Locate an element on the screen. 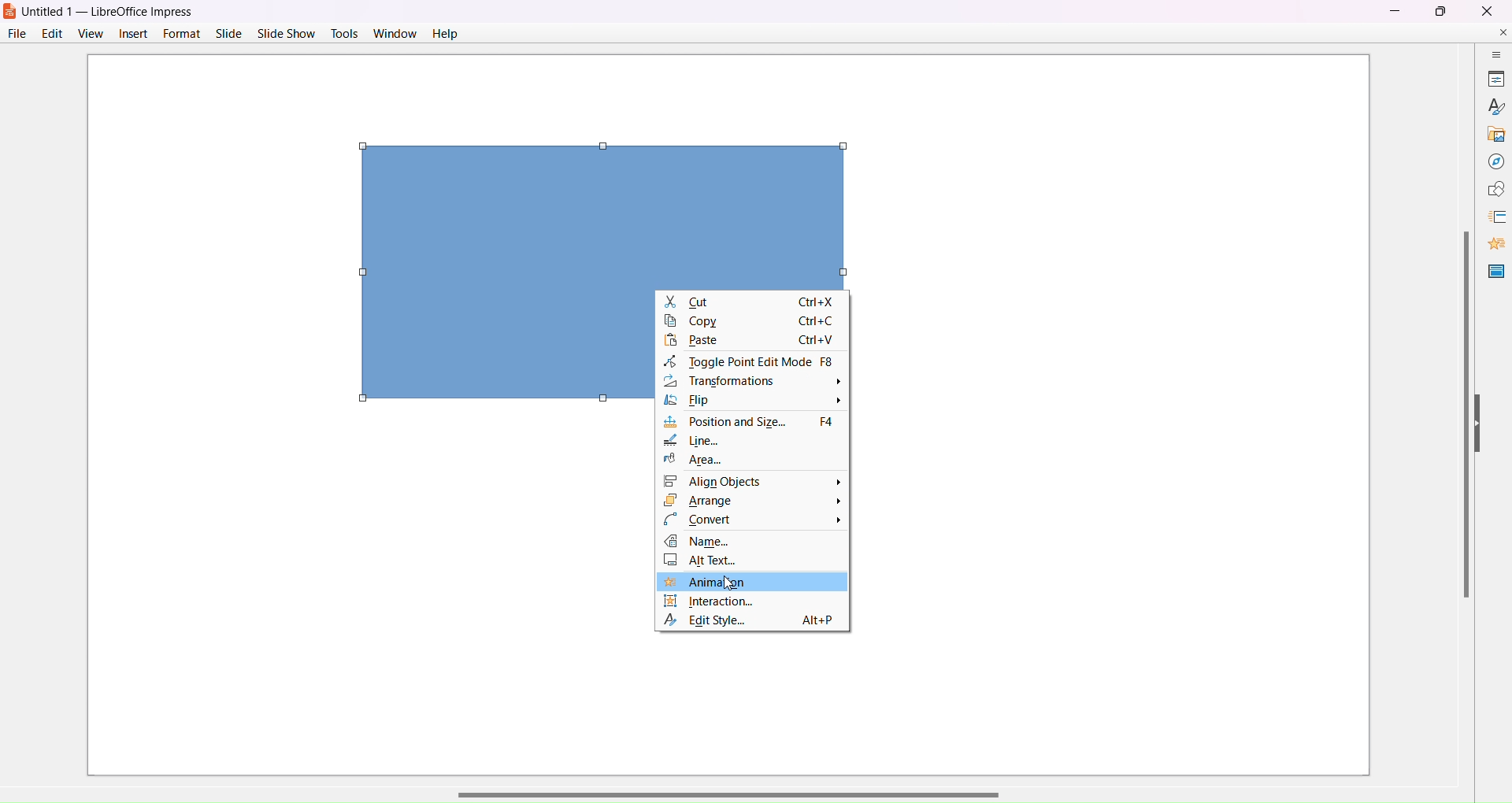  Flip is located at coordinates (756, 403).